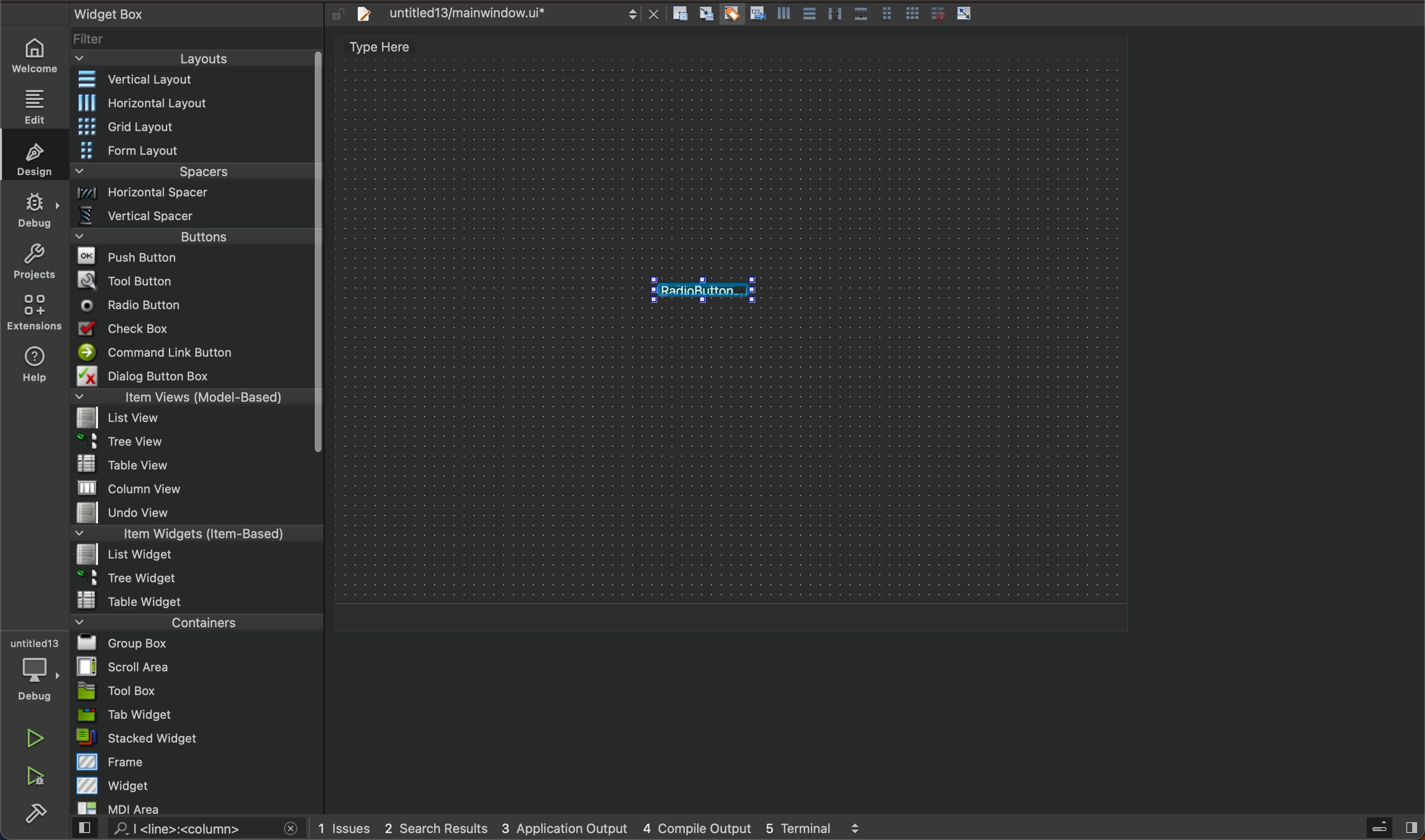  Describe the element at coordinates (193, 556) in the screenshot. I see `` at that location.